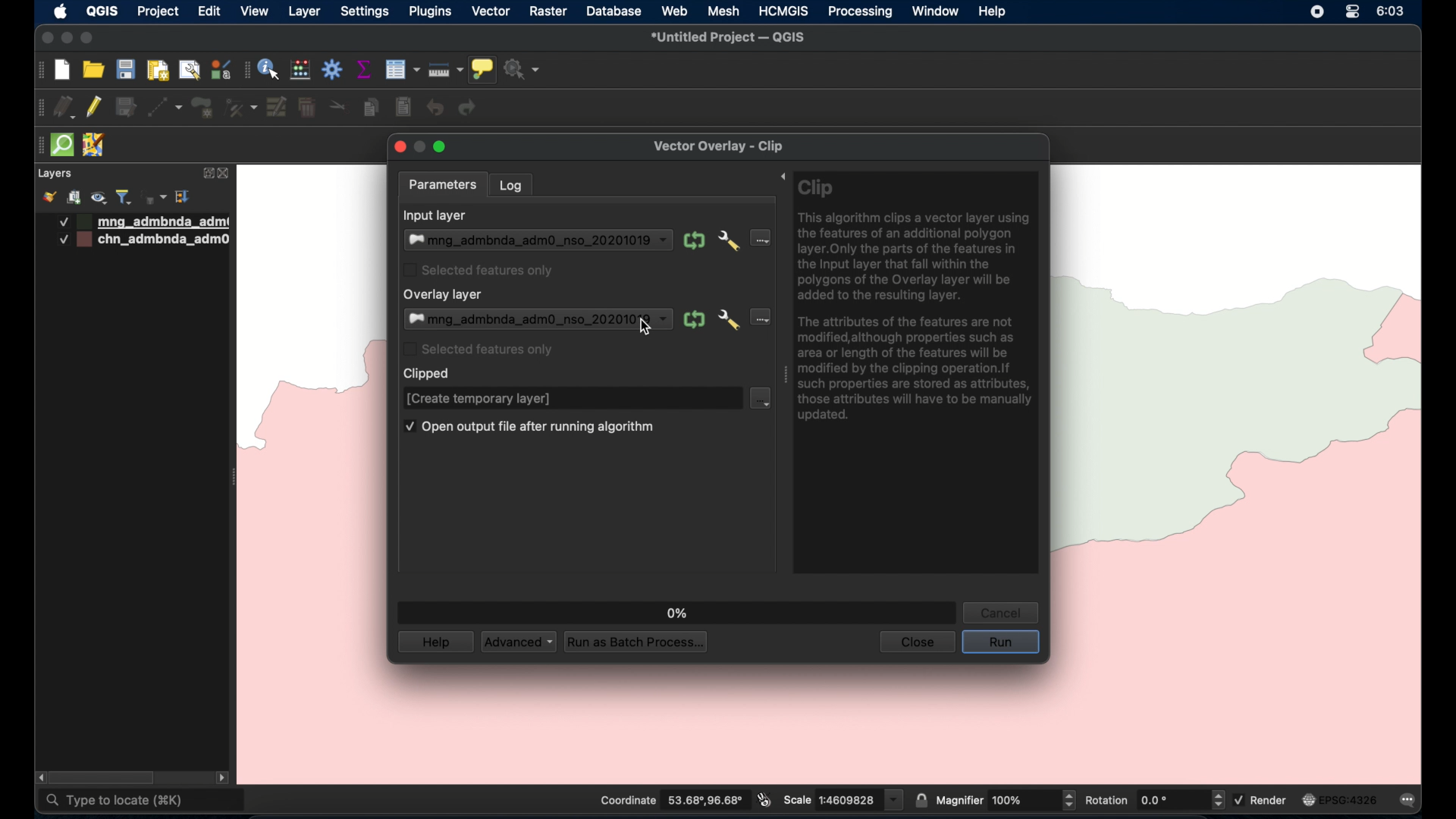 The image size is (1456, 819). Describe the element at coordinates (92, 69) in the screenshot. I see `open project` at that location.